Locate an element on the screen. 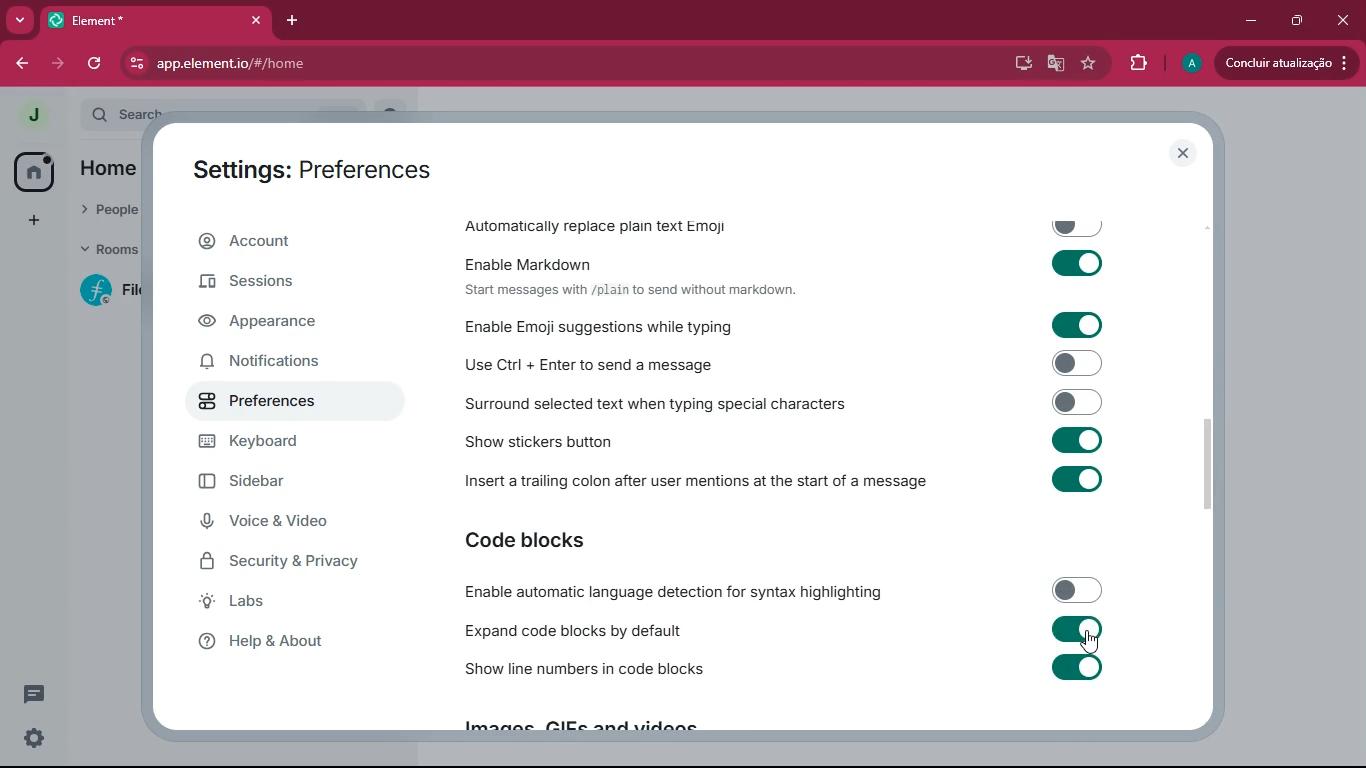 The width and height of the screenshot is (1366, 768). Use Ctrl + Enter to send a message is located at coordinates (788, 362).